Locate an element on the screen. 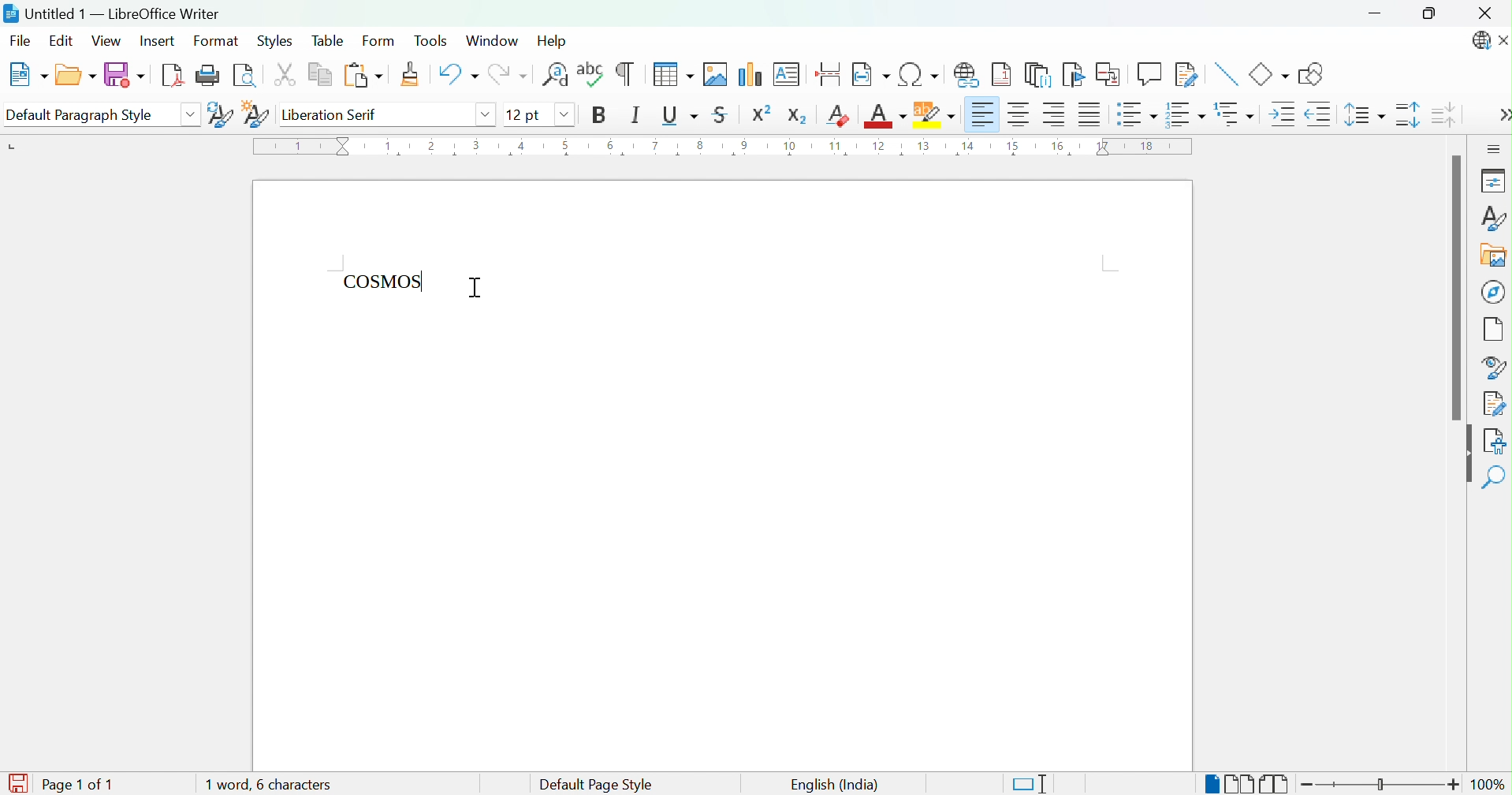 The image size is (1512, 795). Liberation serif is located at coordinates (333, 116).